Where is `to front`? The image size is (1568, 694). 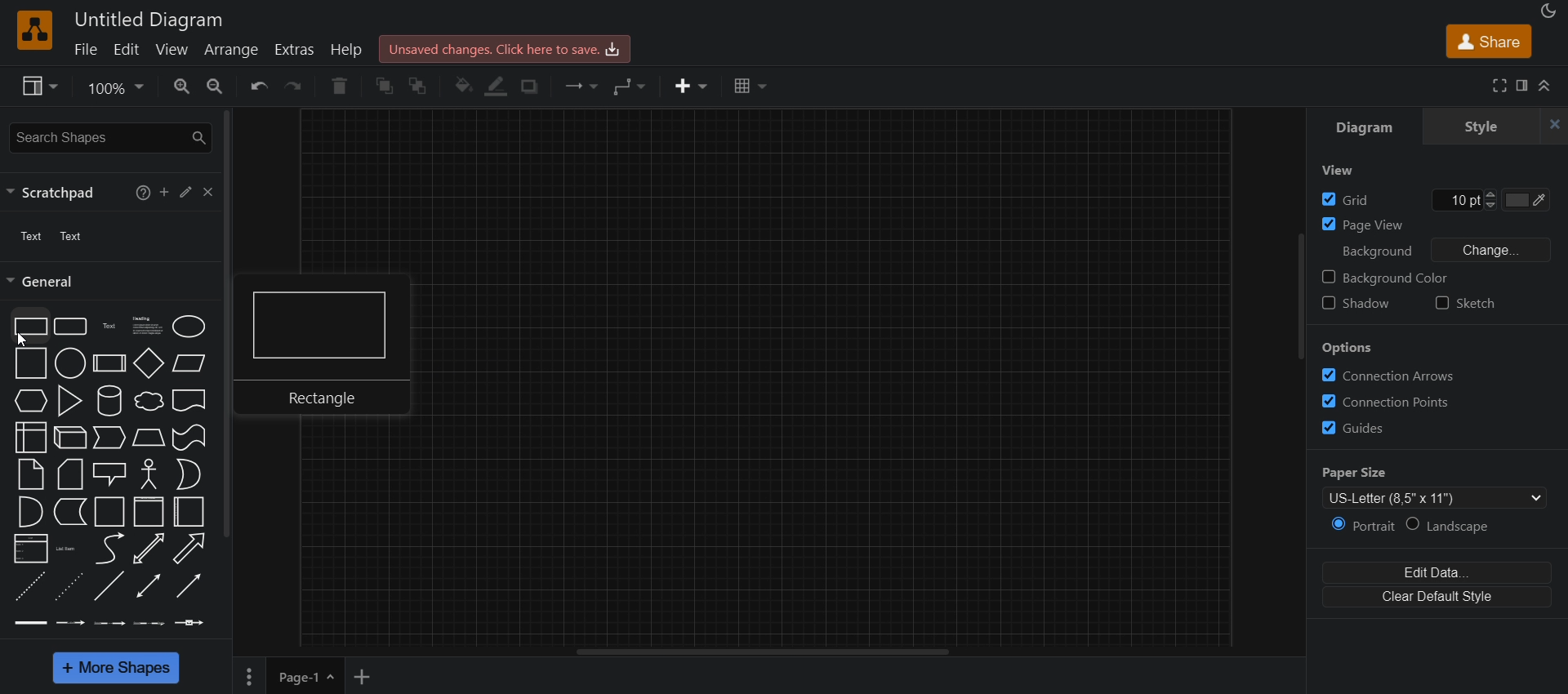 to front is located at coordinates (420, 83).